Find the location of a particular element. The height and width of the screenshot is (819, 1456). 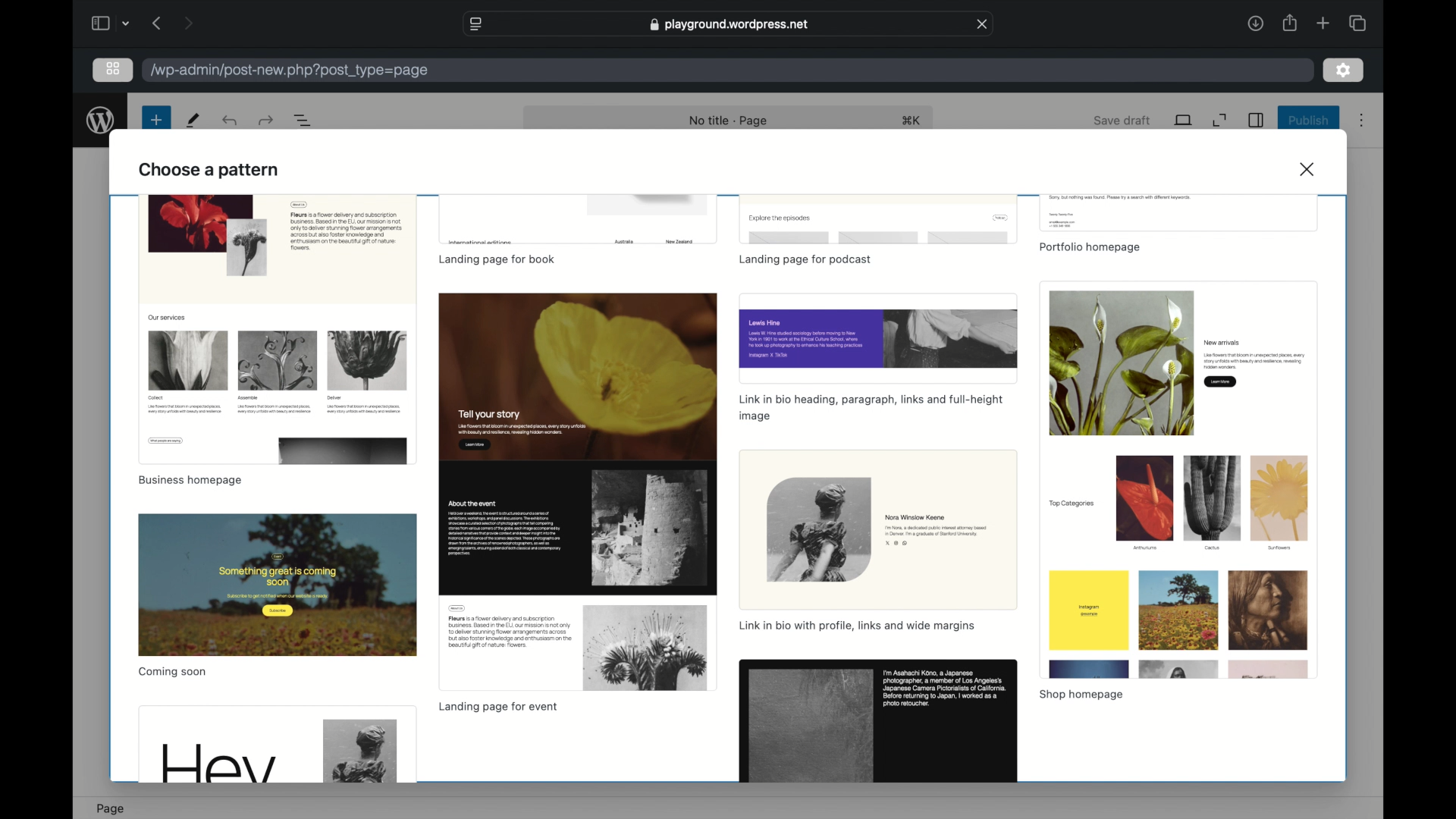

template name is located at coordinates (174, 673).